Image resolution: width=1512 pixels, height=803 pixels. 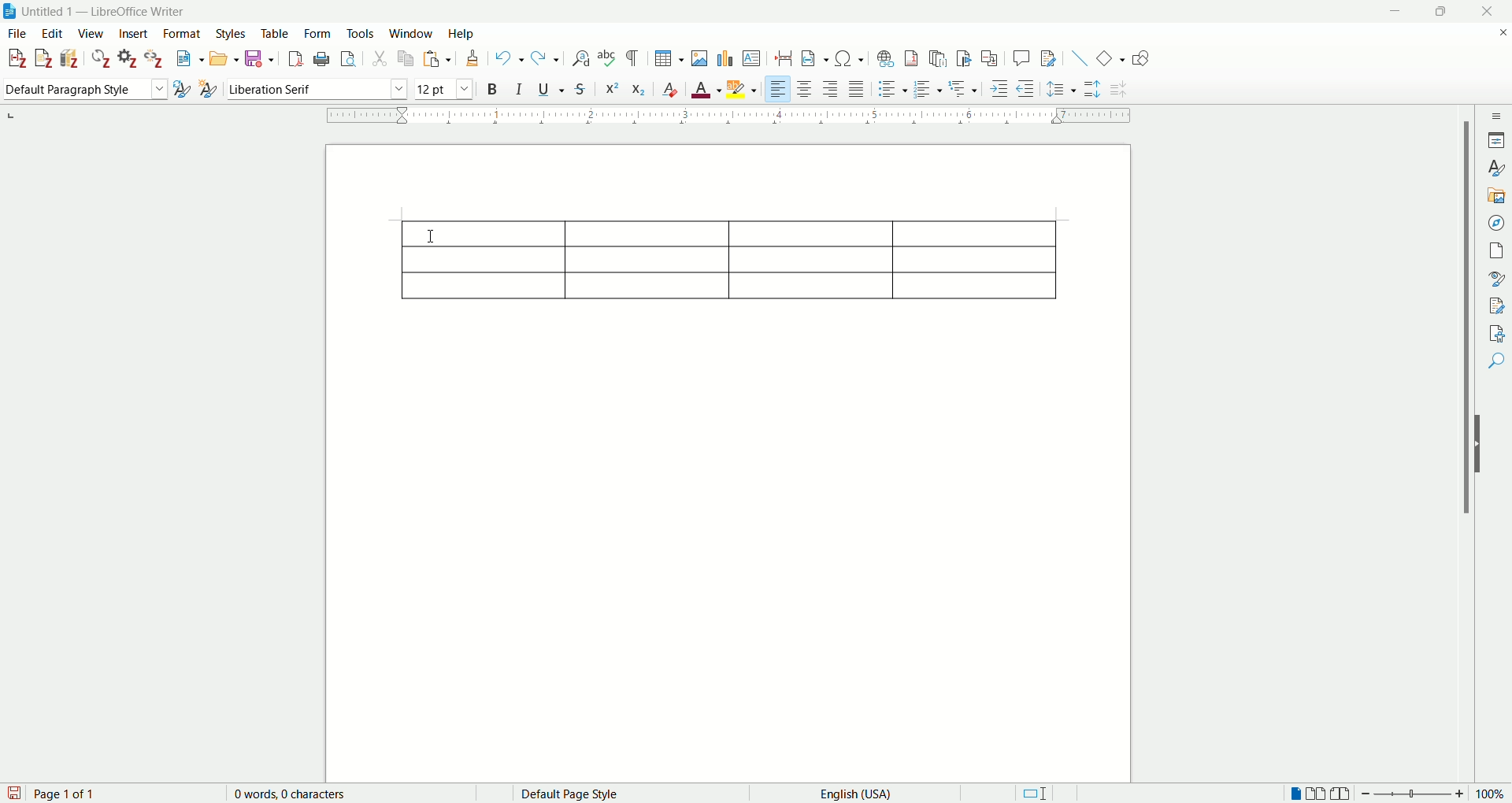 I want to click on page, so click(x=719, y=458).